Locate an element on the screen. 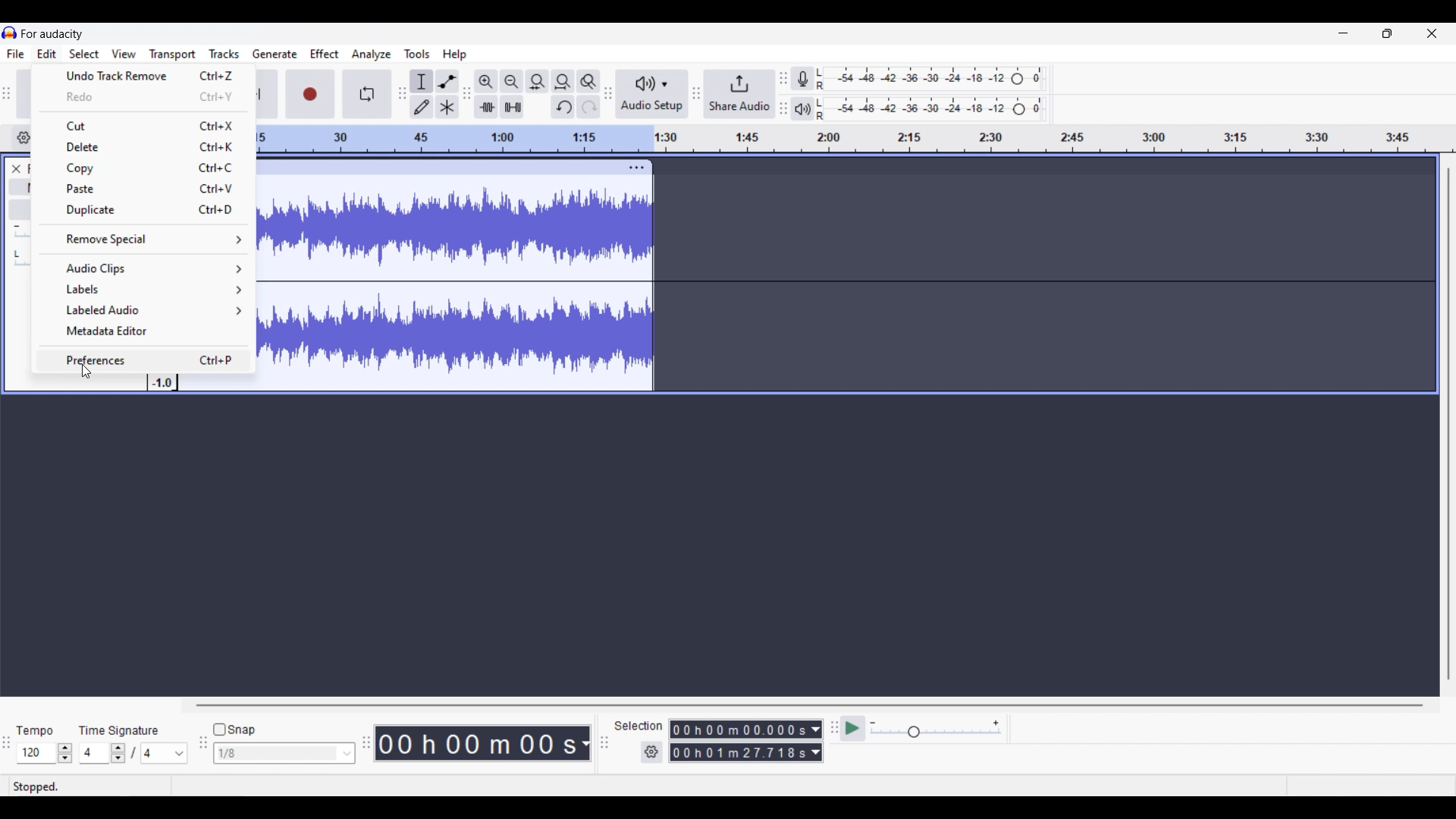 Image resolution: width=1456 pixels, height=819 pixels. Snap options is located at coordinates (284, 754).